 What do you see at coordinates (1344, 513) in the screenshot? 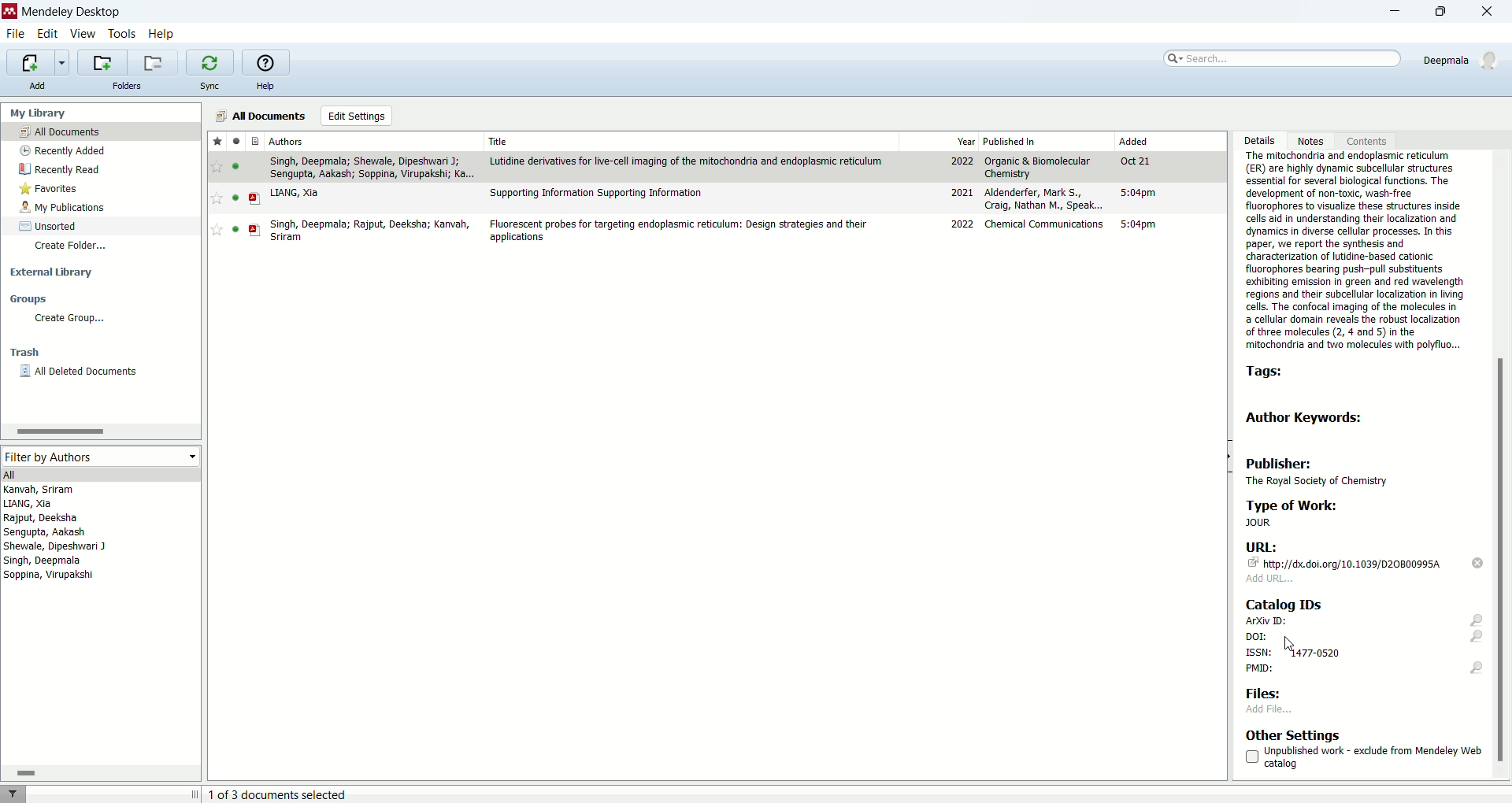
I see `type of work: JOUR` at bounding box center [1344, 513].